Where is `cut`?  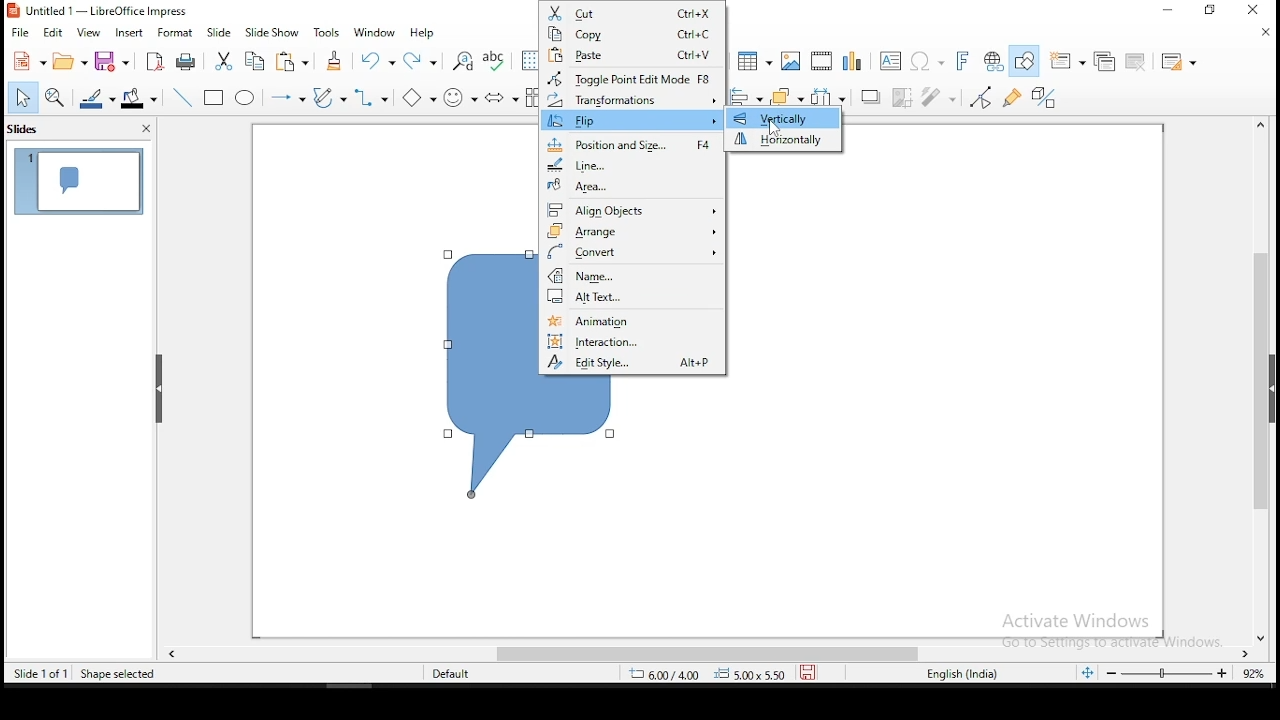 cut is located at coordinates (634, 11).